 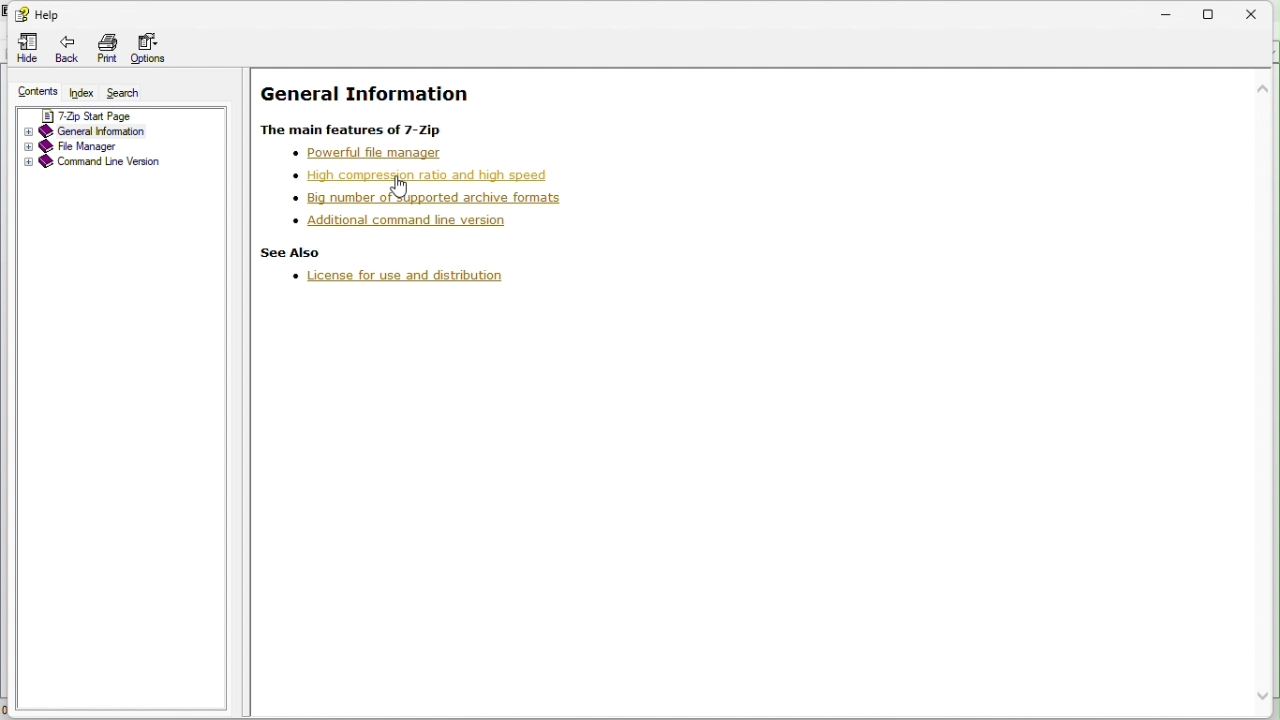 I want to click on 7 zip Start page, so click(x=100, y=115).